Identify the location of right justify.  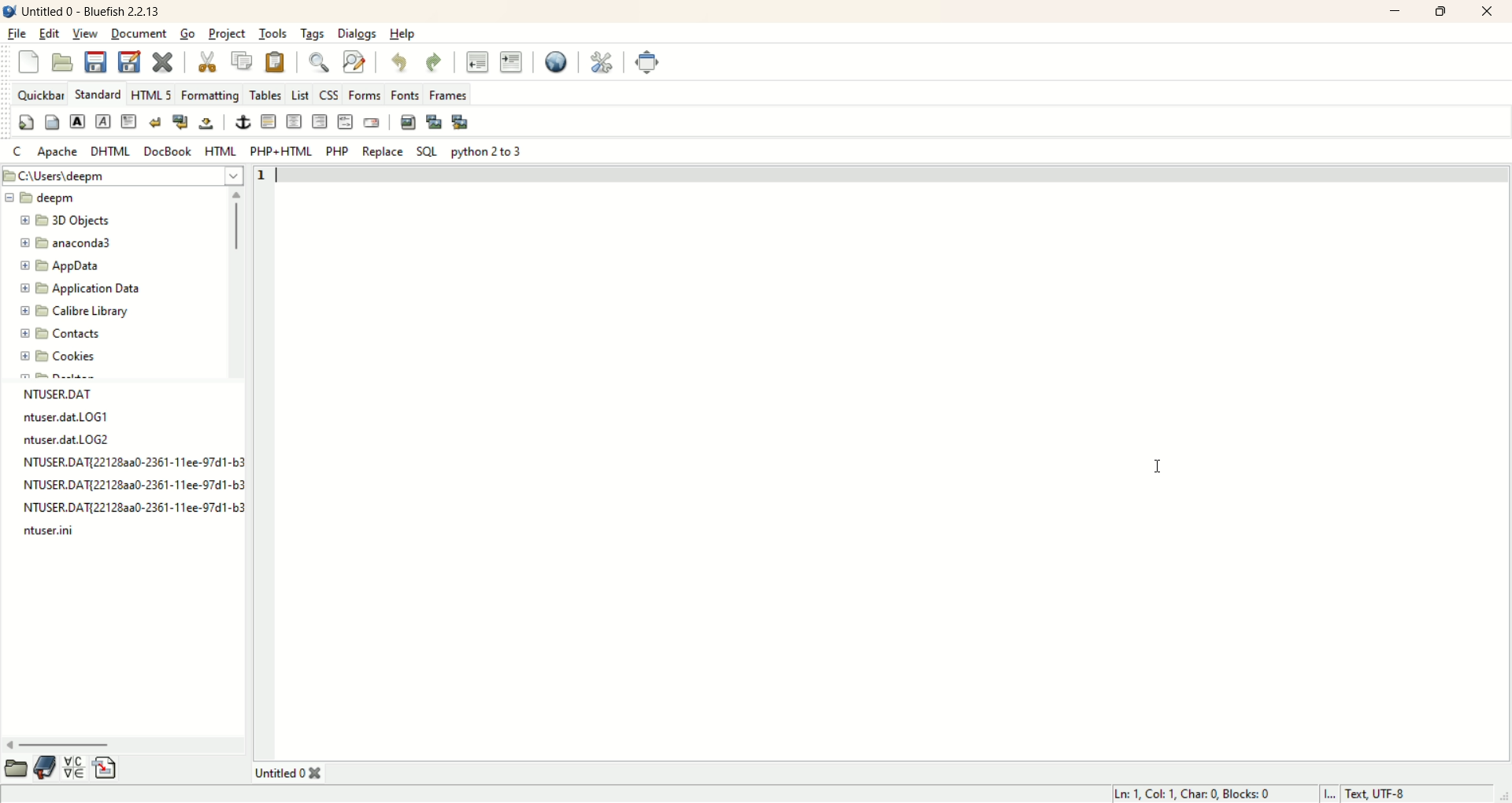
(319, 124).